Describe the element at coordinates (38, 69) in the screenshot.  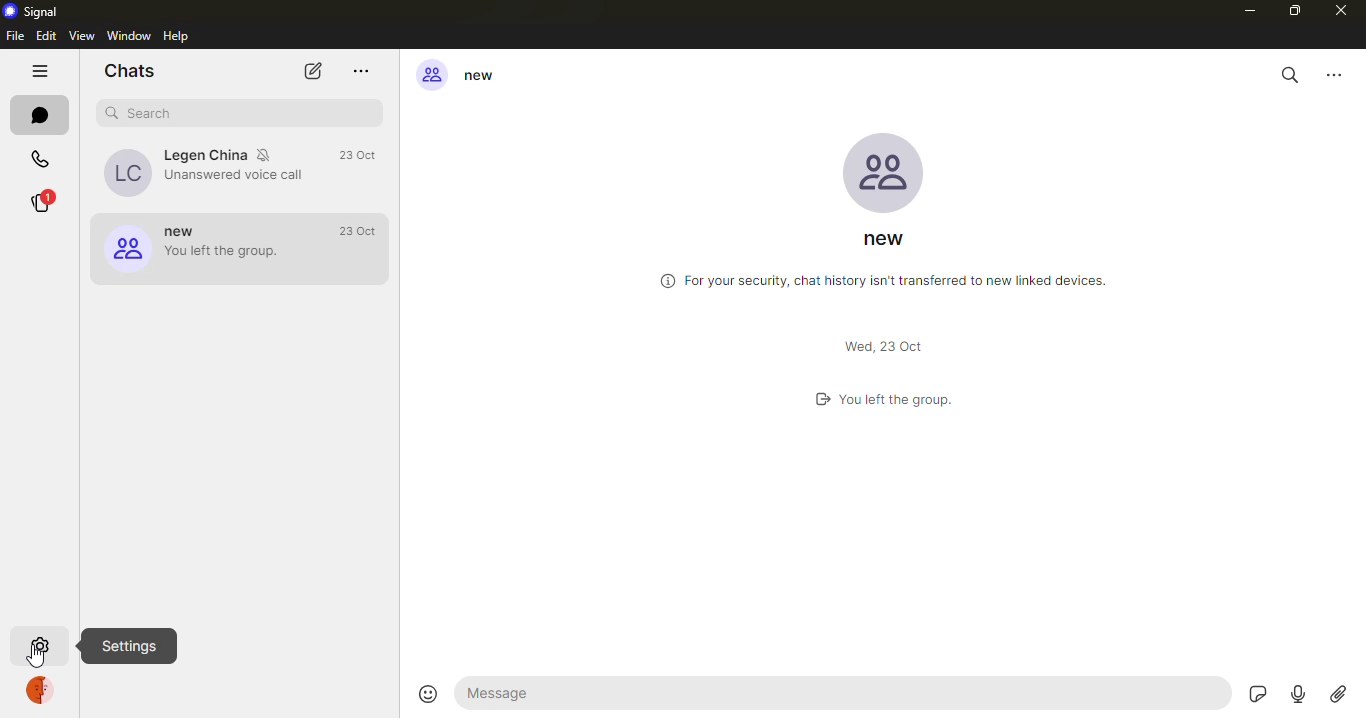
I see `hide tabs` at that location.